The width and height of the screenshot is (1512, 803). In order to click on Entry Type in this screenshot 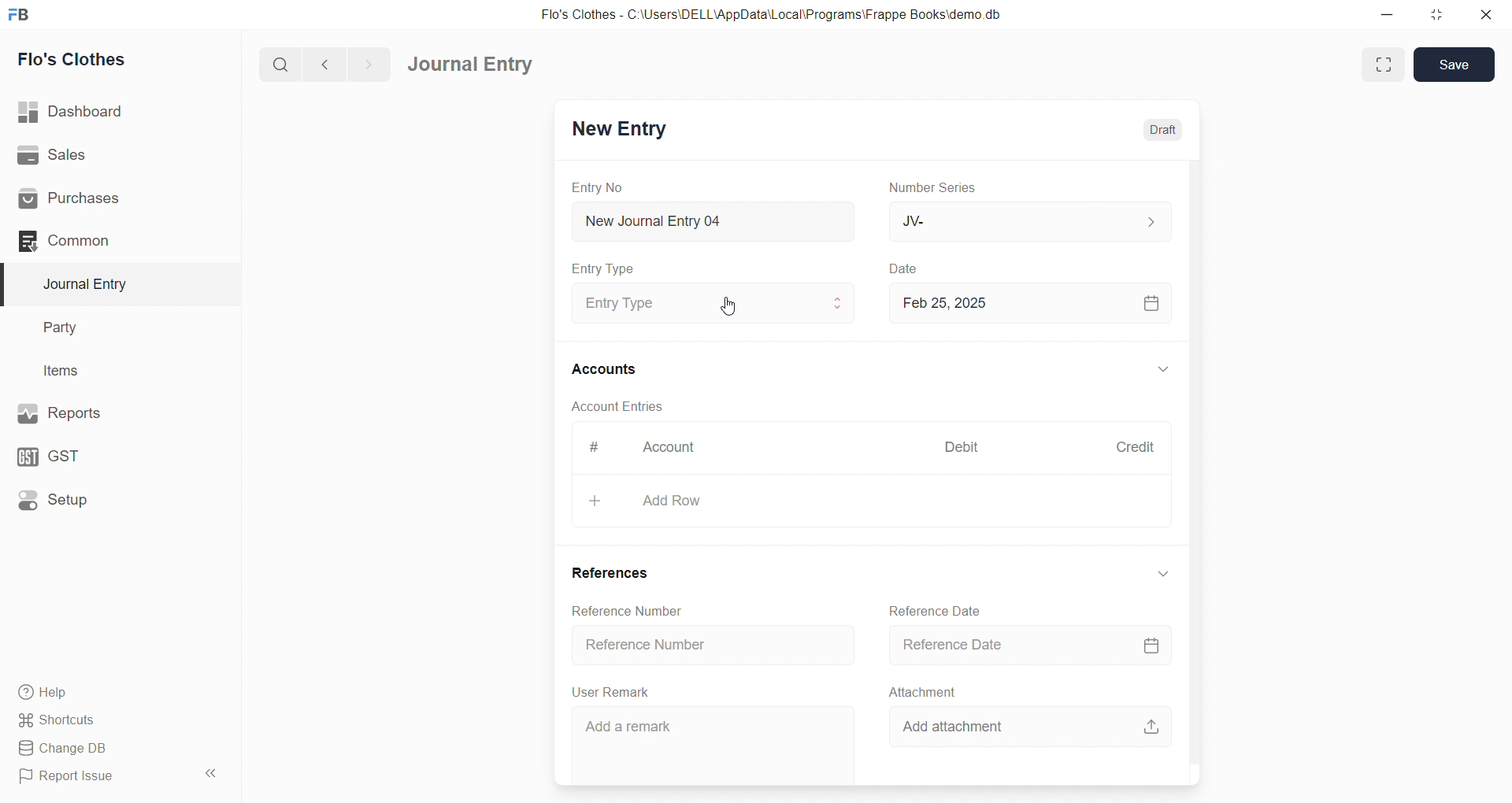, I will do `click(712, 305)`.